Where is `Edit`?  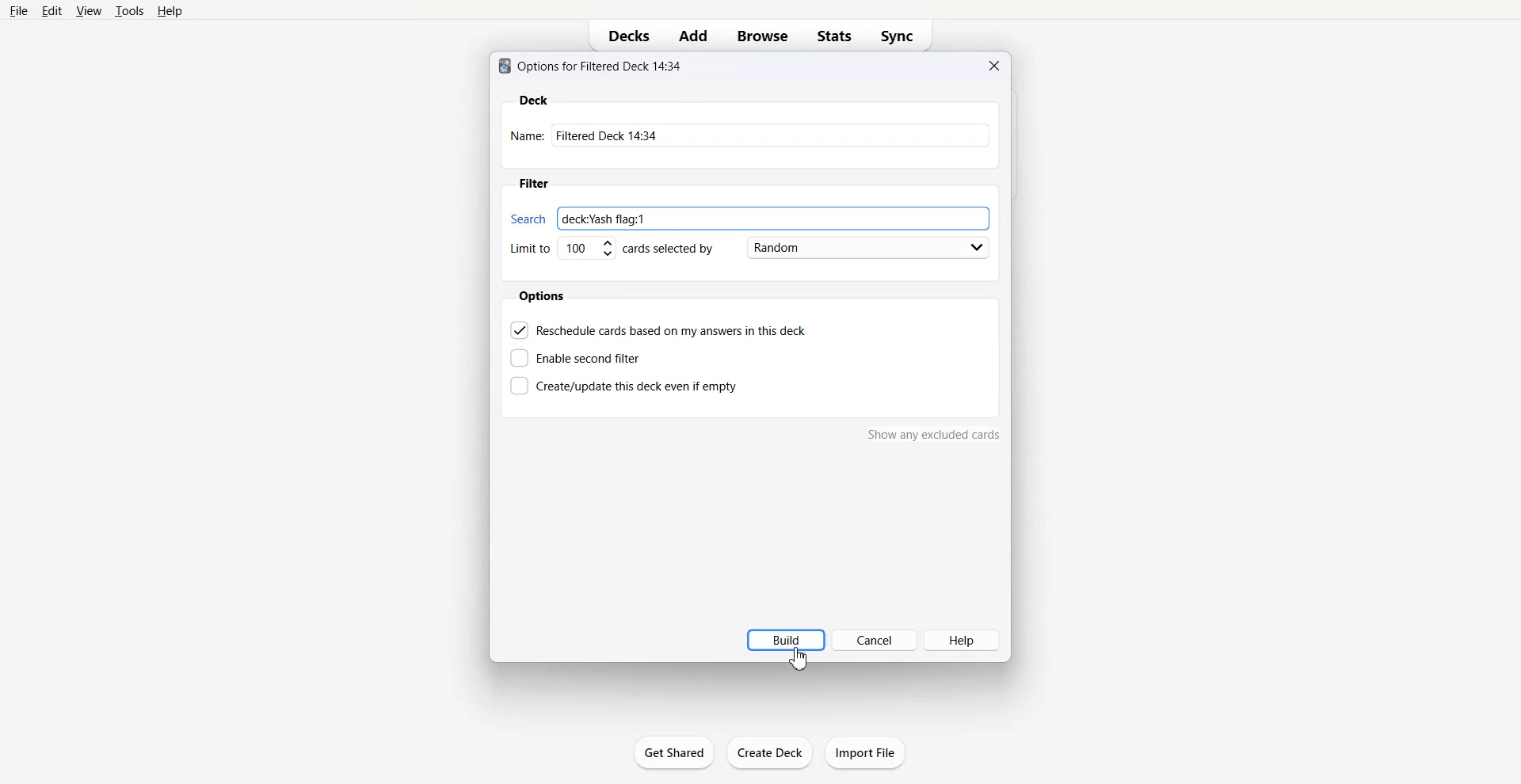
Edit is located at coordinates (51, 10).